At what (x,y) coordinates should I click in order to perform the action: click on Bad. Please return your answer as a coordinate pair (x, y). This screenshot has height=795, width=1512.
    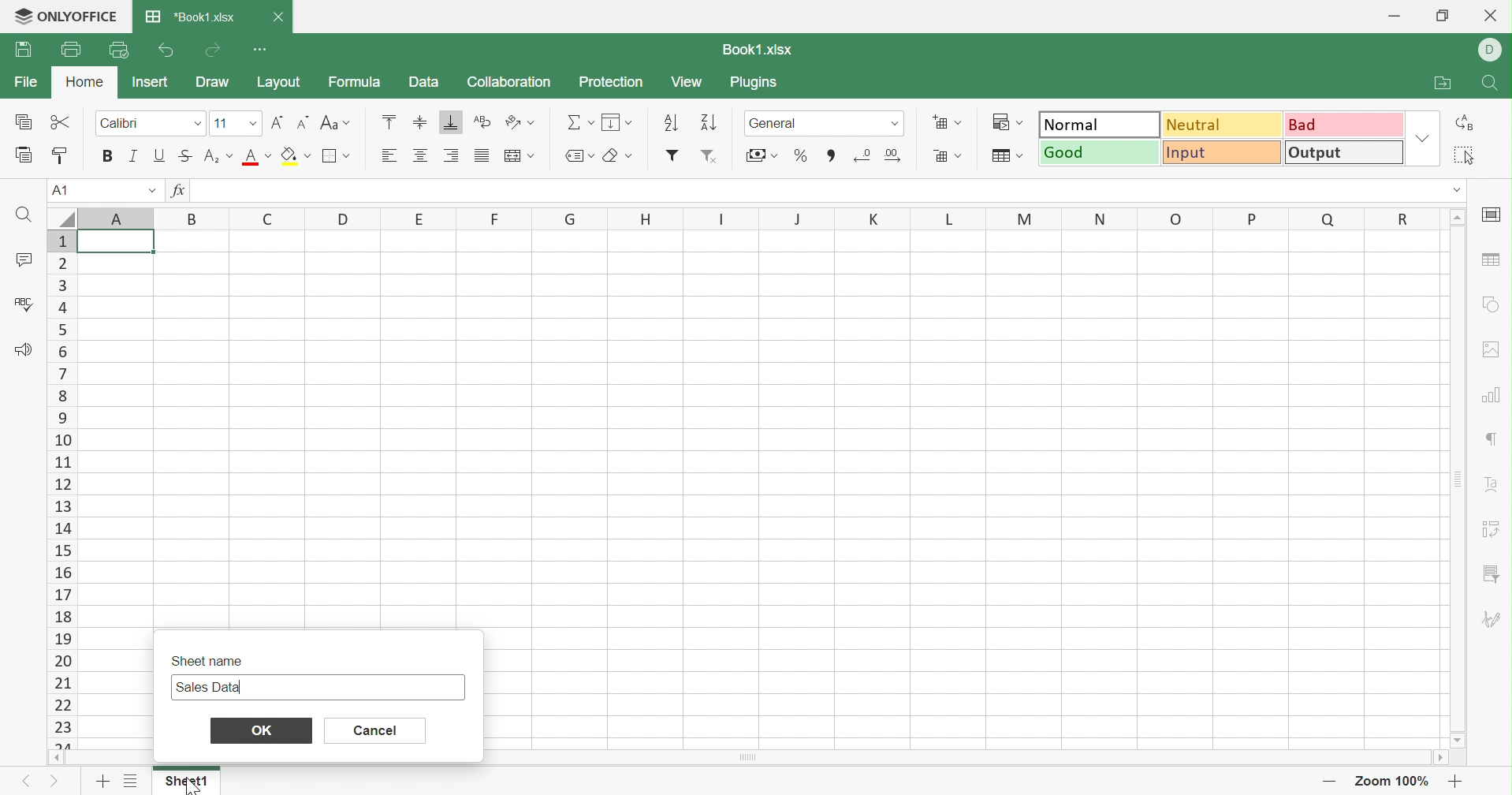
    Looking at the image, I should click on (1344, 124).